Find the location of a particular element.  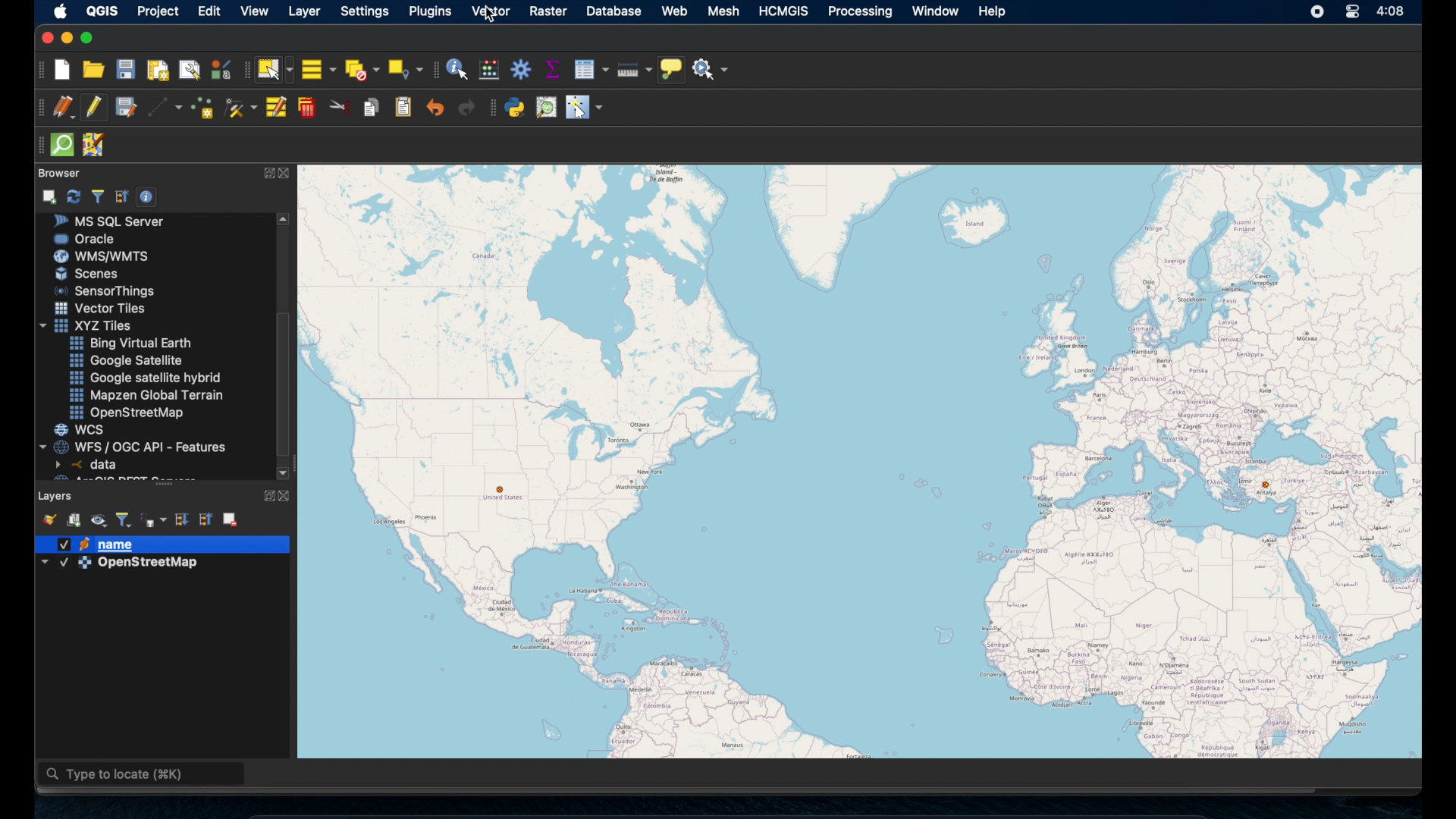

no action selected is located at coordinates (714, 70).